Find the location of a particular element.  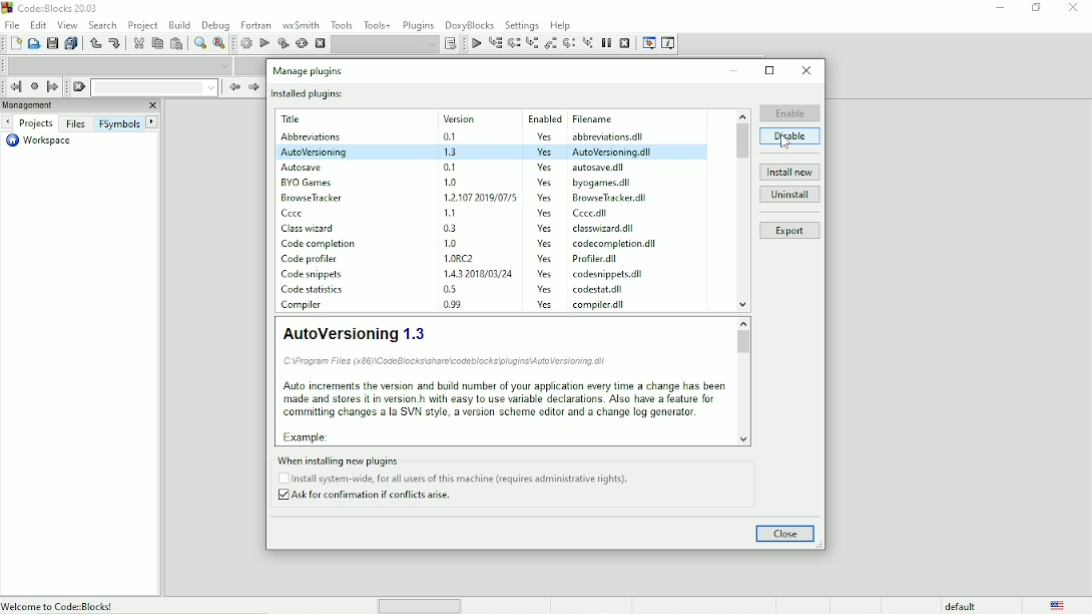

Welcome to Code::Blocks! is located at coordinates (59, 605).